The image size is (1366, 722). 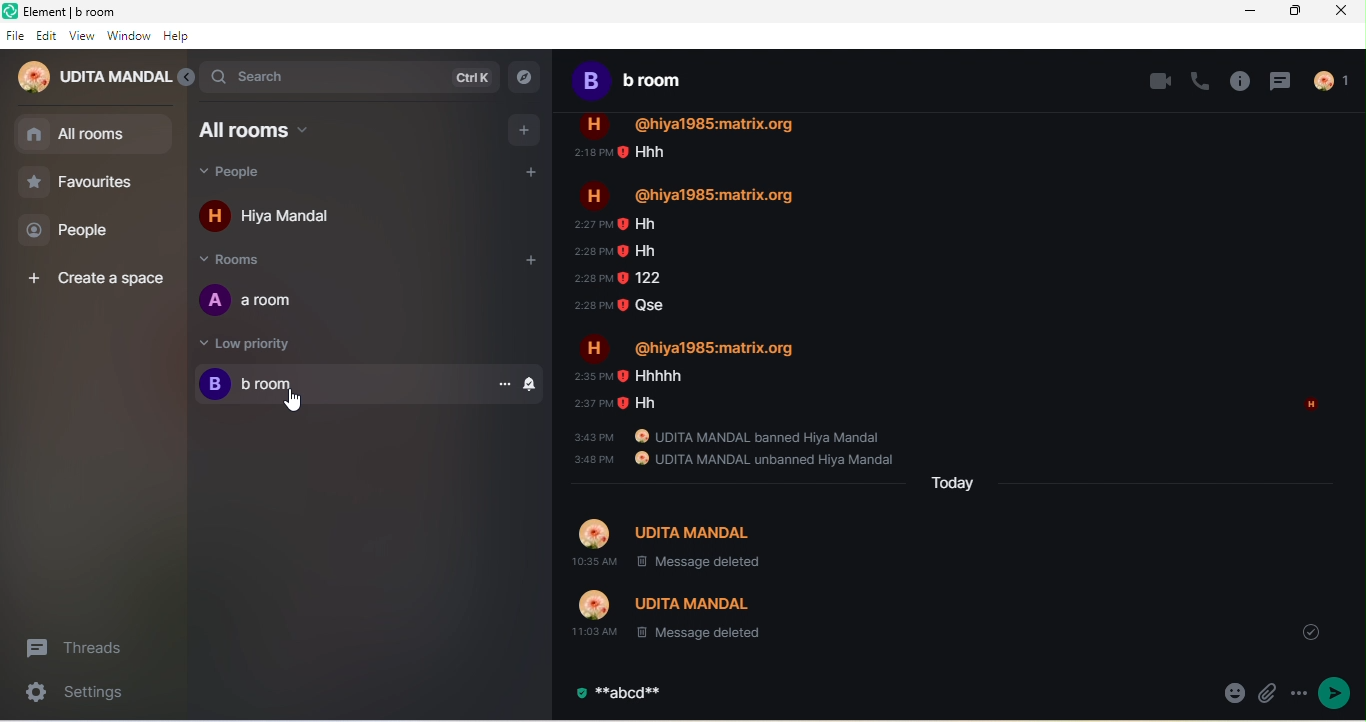 What do you see at coordinates (969, 382) in the screenshot?
I see `older message` at bounding box center [969, 382].